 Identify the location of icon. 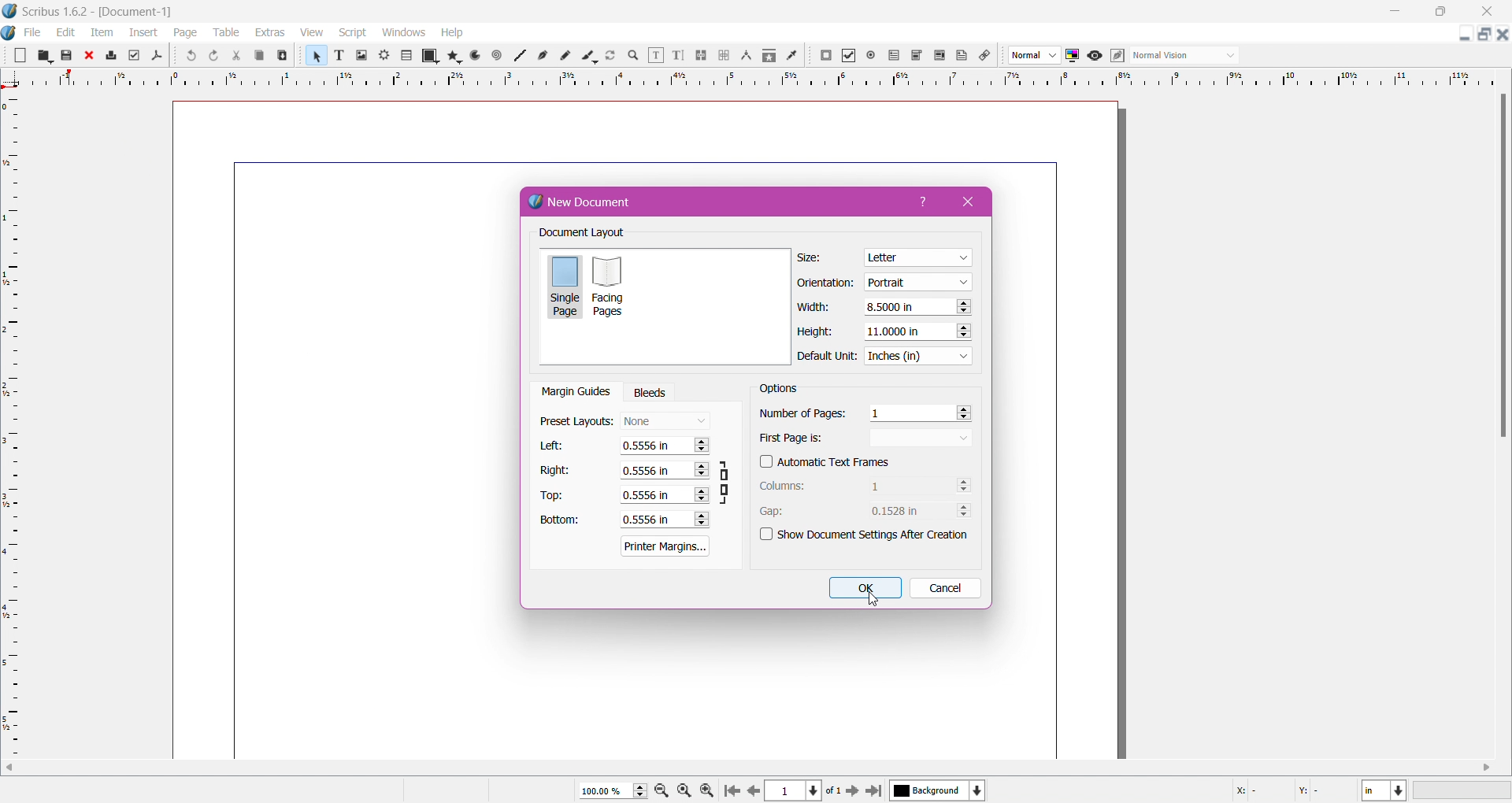
(455, 54).